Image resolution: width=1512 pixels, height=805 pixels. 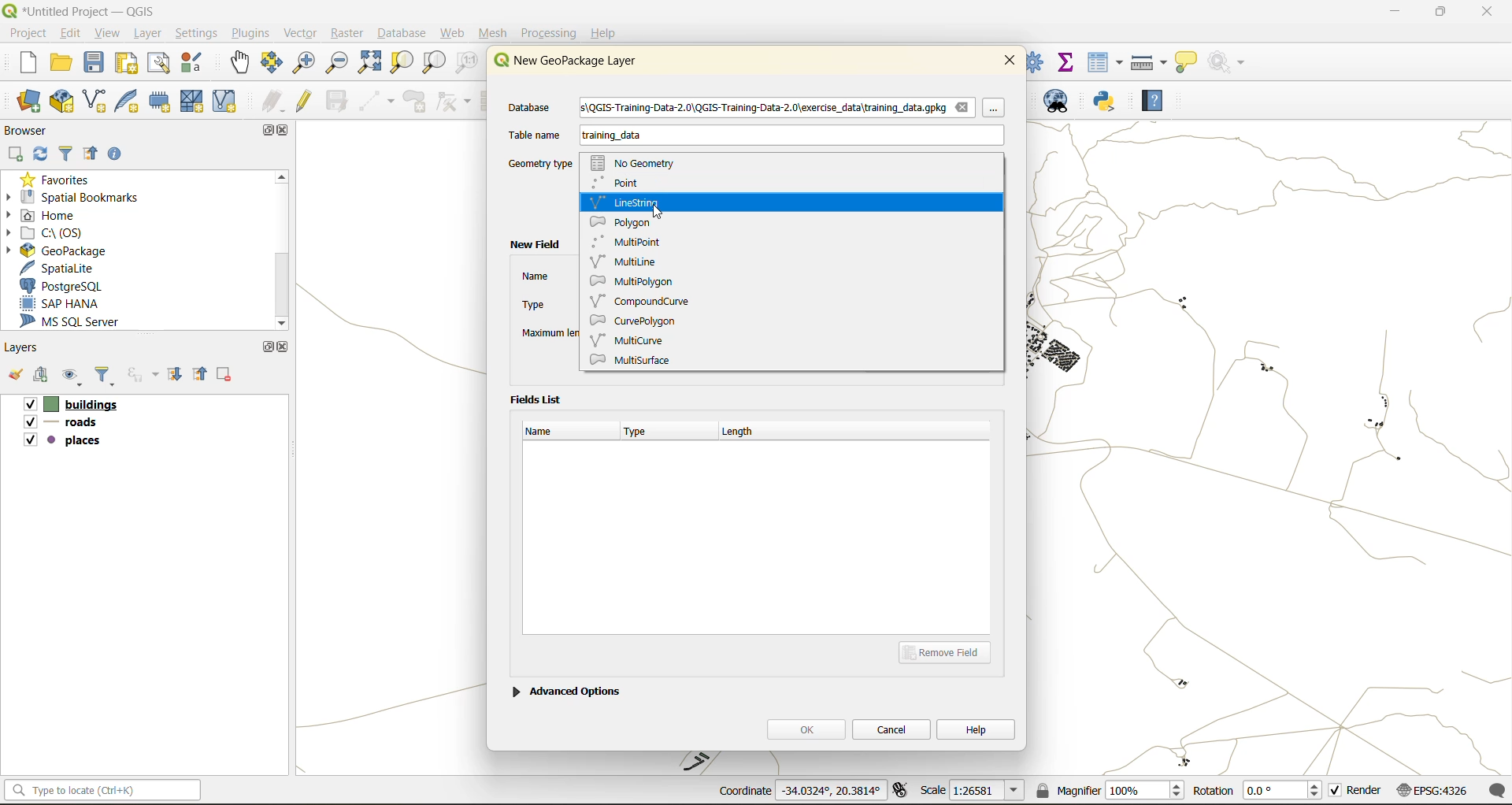 What do you see at coordinates (161, 102) in the screenshot?
I see `temporary scratch layer` at bounding box center [161, 102].